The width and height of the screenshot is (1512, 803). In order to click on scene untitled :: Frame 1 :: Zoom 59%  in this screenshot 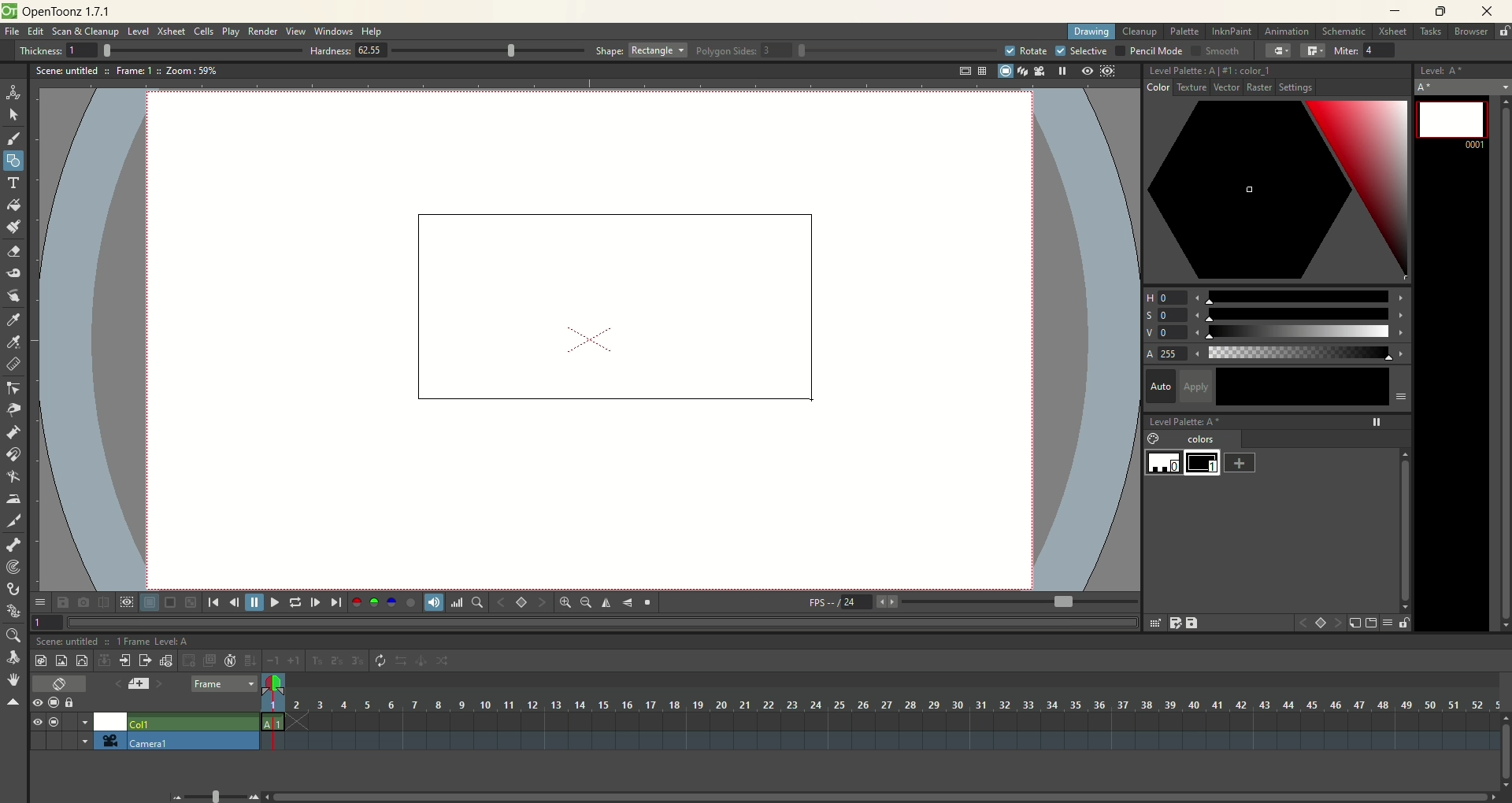, I will do `click(127, 73)`.